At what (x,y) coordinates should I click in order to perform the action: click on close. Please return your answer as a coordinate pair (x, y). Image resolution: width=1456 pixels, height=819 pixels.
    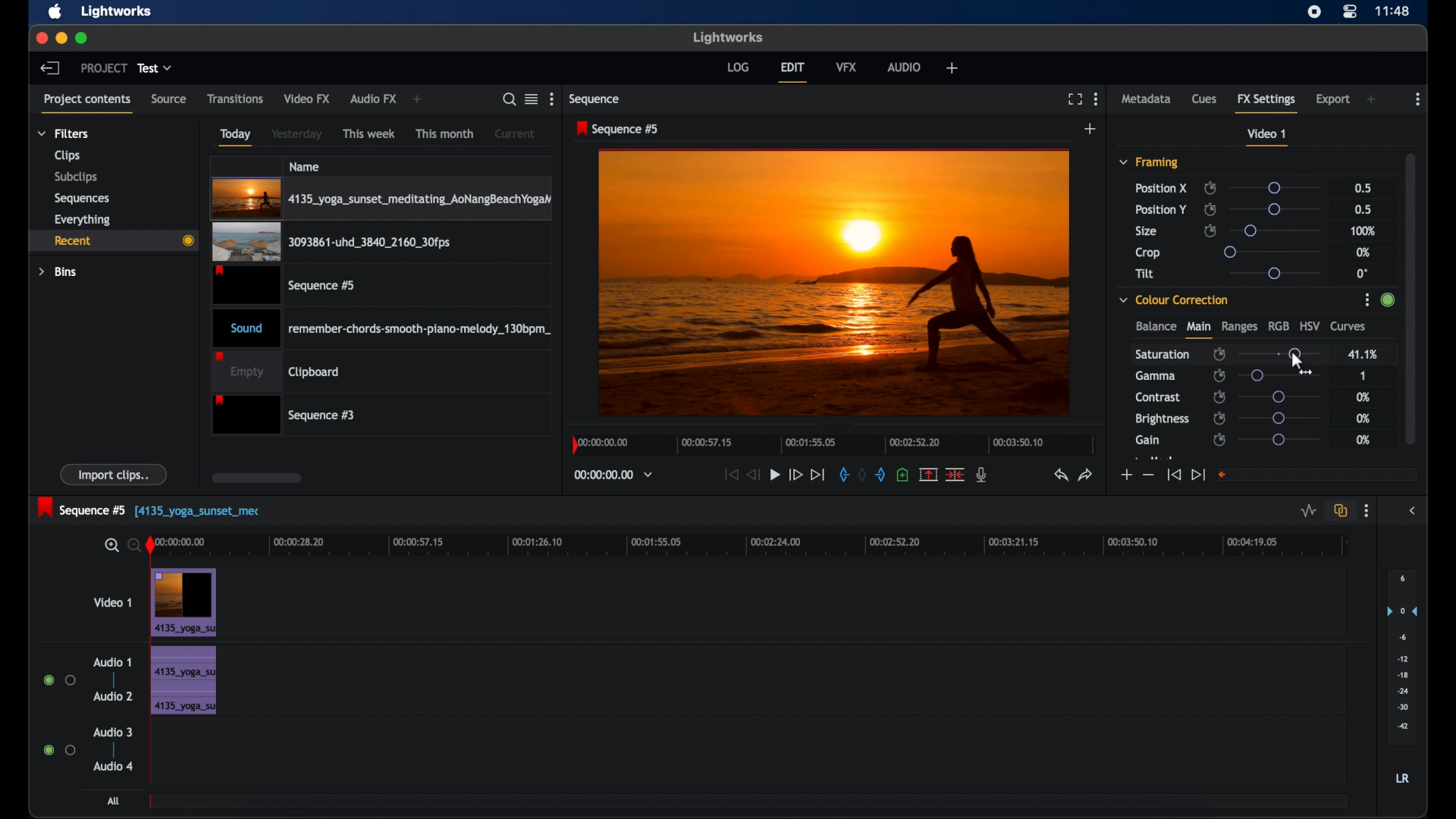
    Looking at the image, I should click on (38, 38).